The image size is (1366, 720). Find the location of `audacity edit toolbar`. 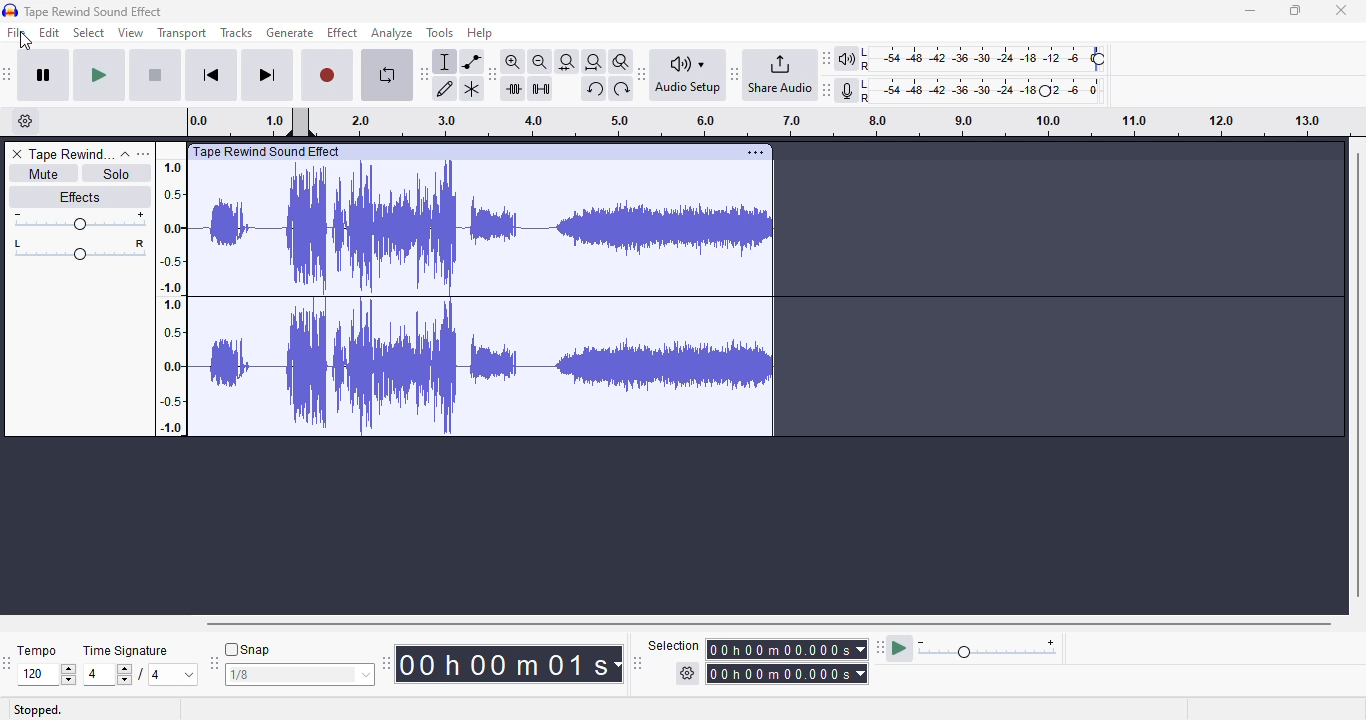

audacity edit toolbar is located at coordinates (492, 74).